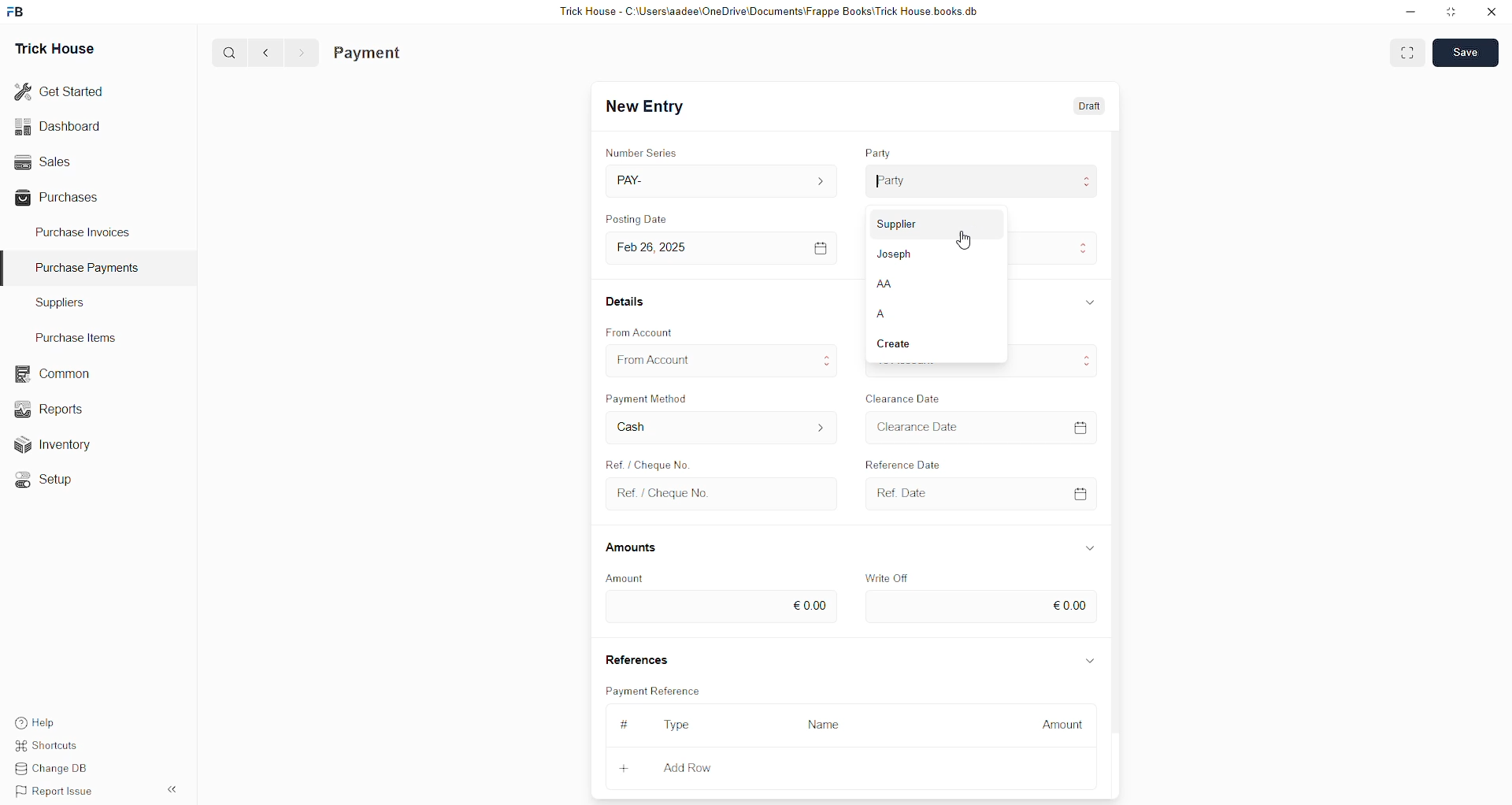 This screenshot has width=1512, height=805. Describe the element at coordinates (641, 150) in the screenshot. I see `Number Series` at that location.